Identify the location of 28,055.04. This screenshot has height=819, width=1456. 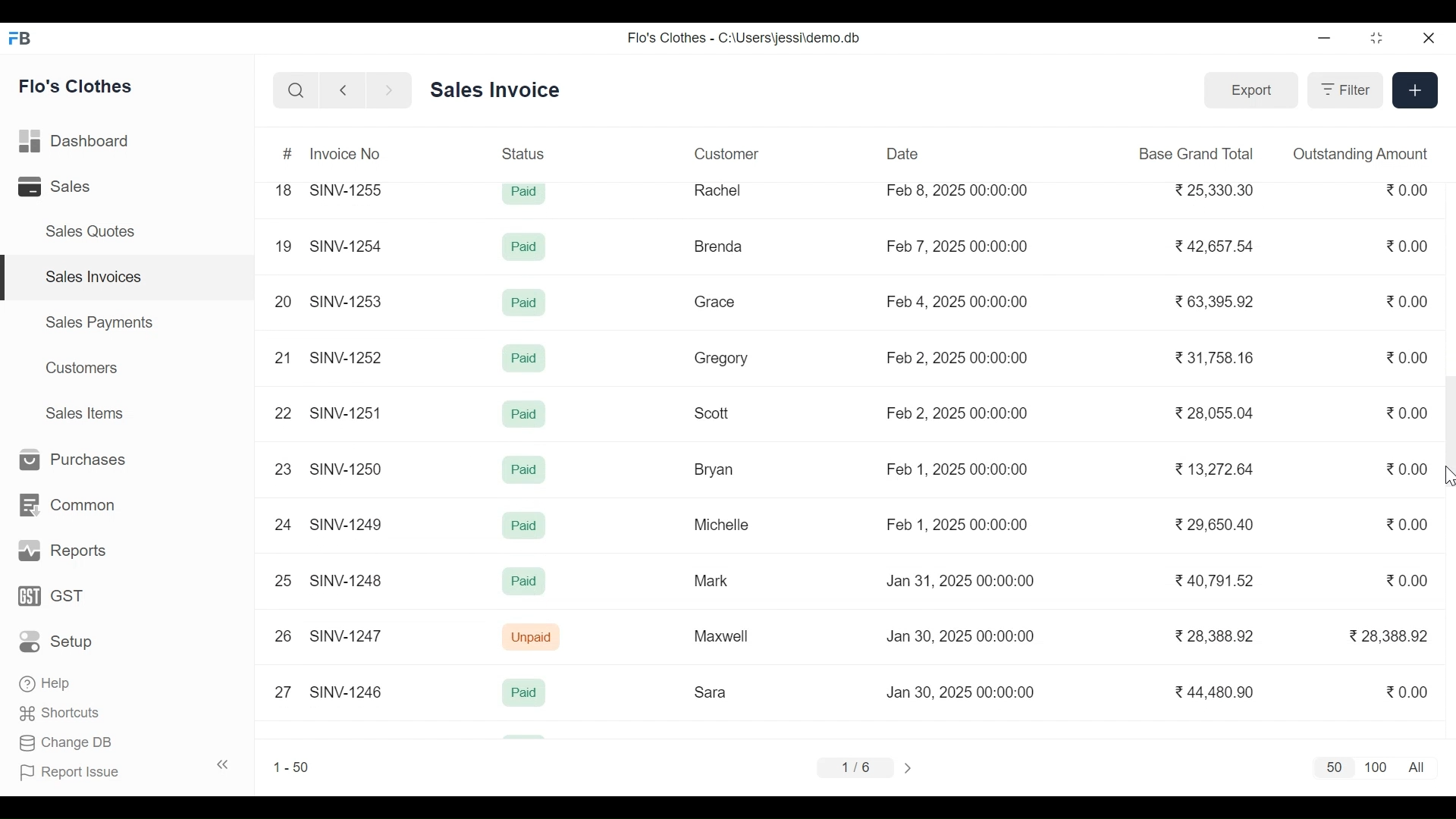
(1213, 412).